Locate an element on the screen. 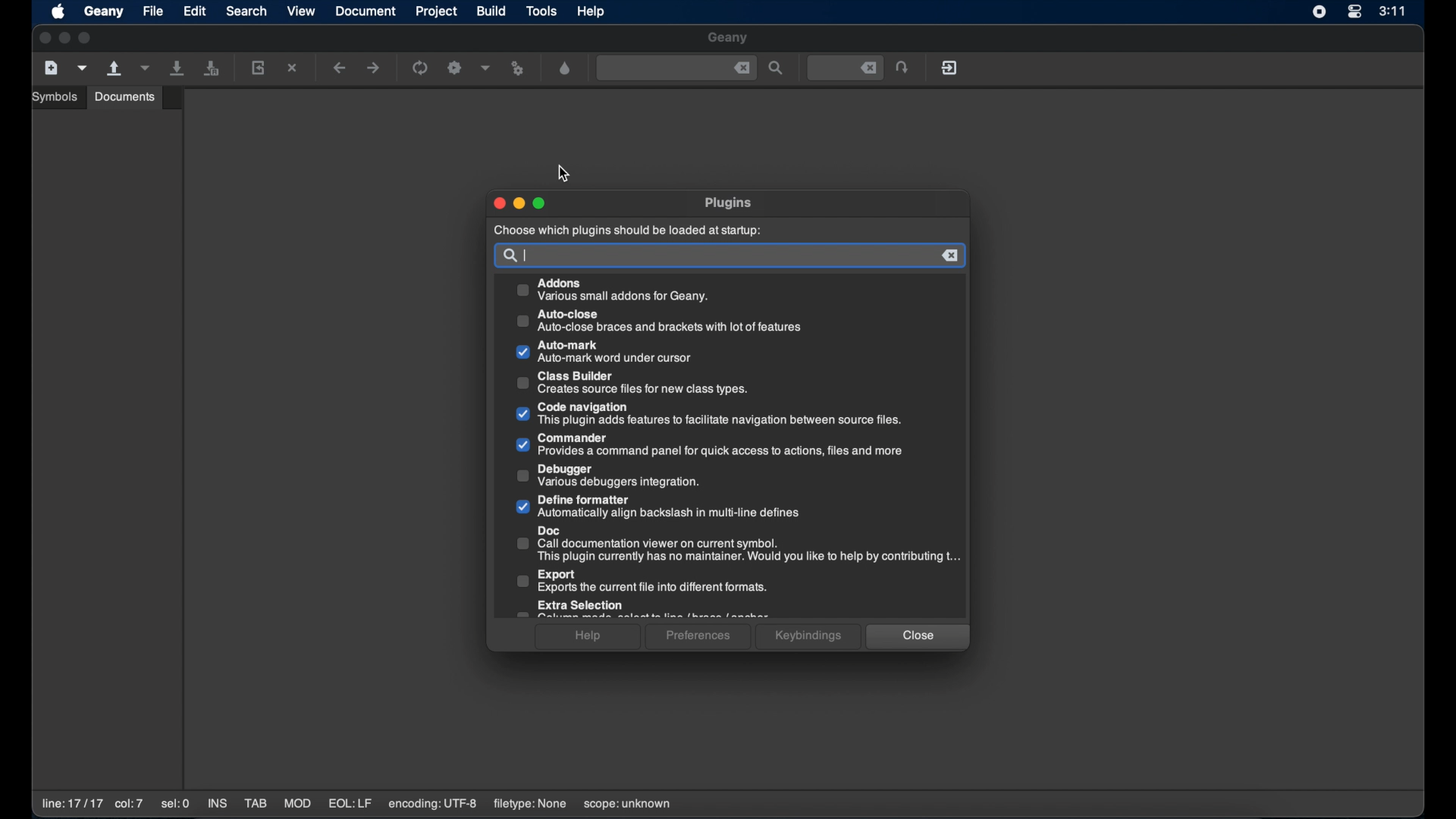 The height and width of the screenshot is (819, 1456). cursor is located at coordinates (563, 173).